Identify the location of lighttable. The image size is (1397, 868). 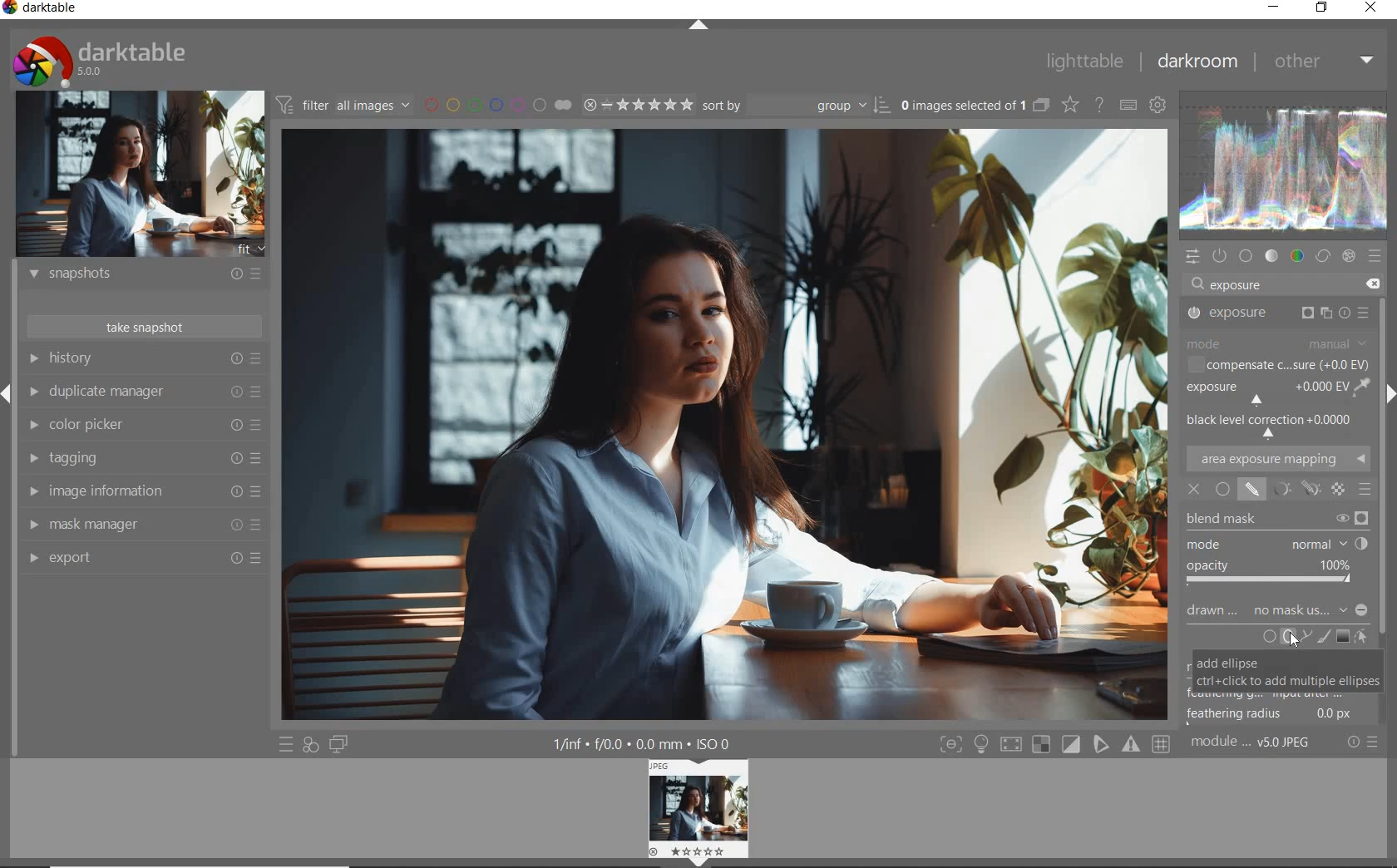
(1085, 60).